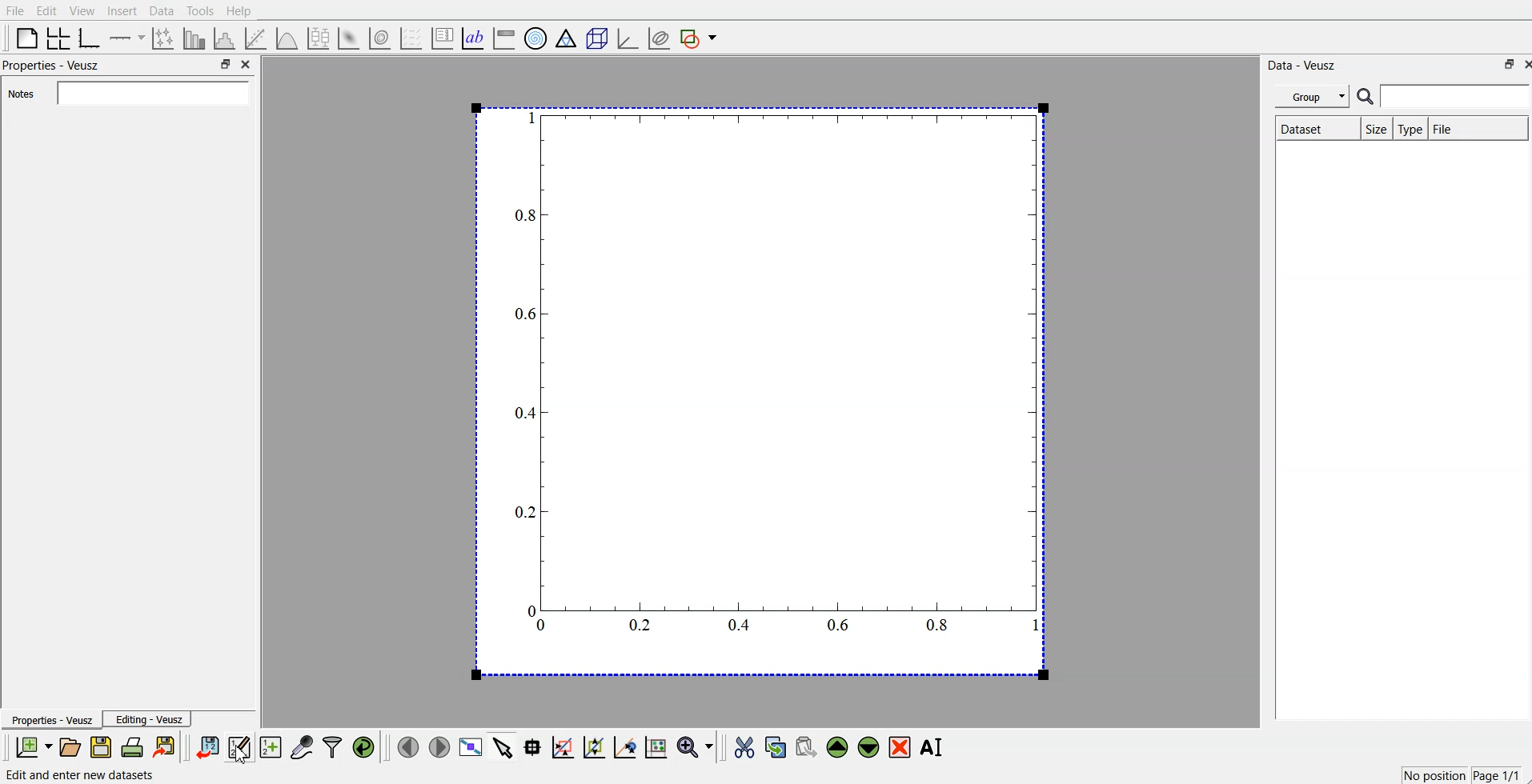 The image size is (1532, 784). I want to click on polar graph, so click(536, 37).